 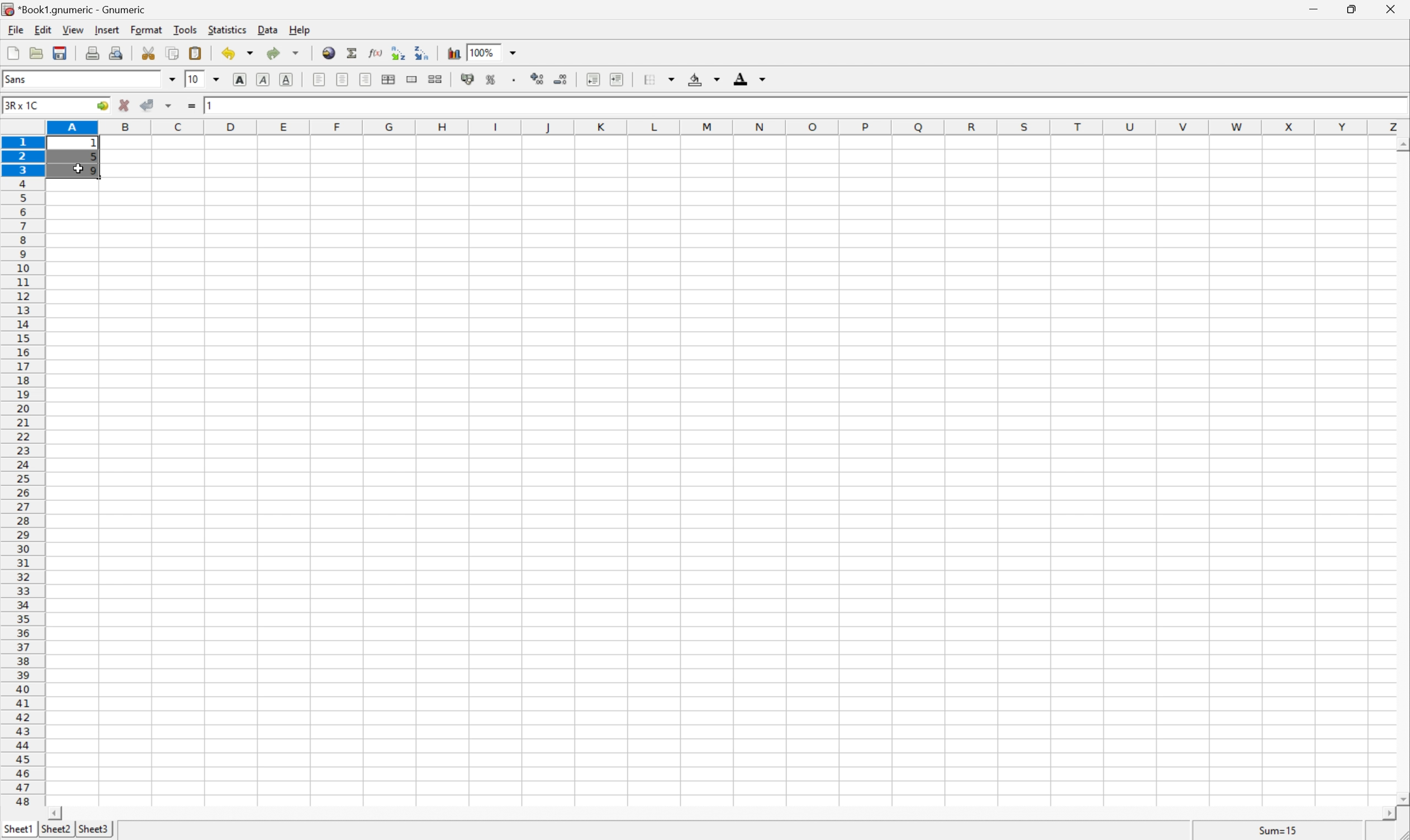 I want to click on italic, so click(x=264, y=78).